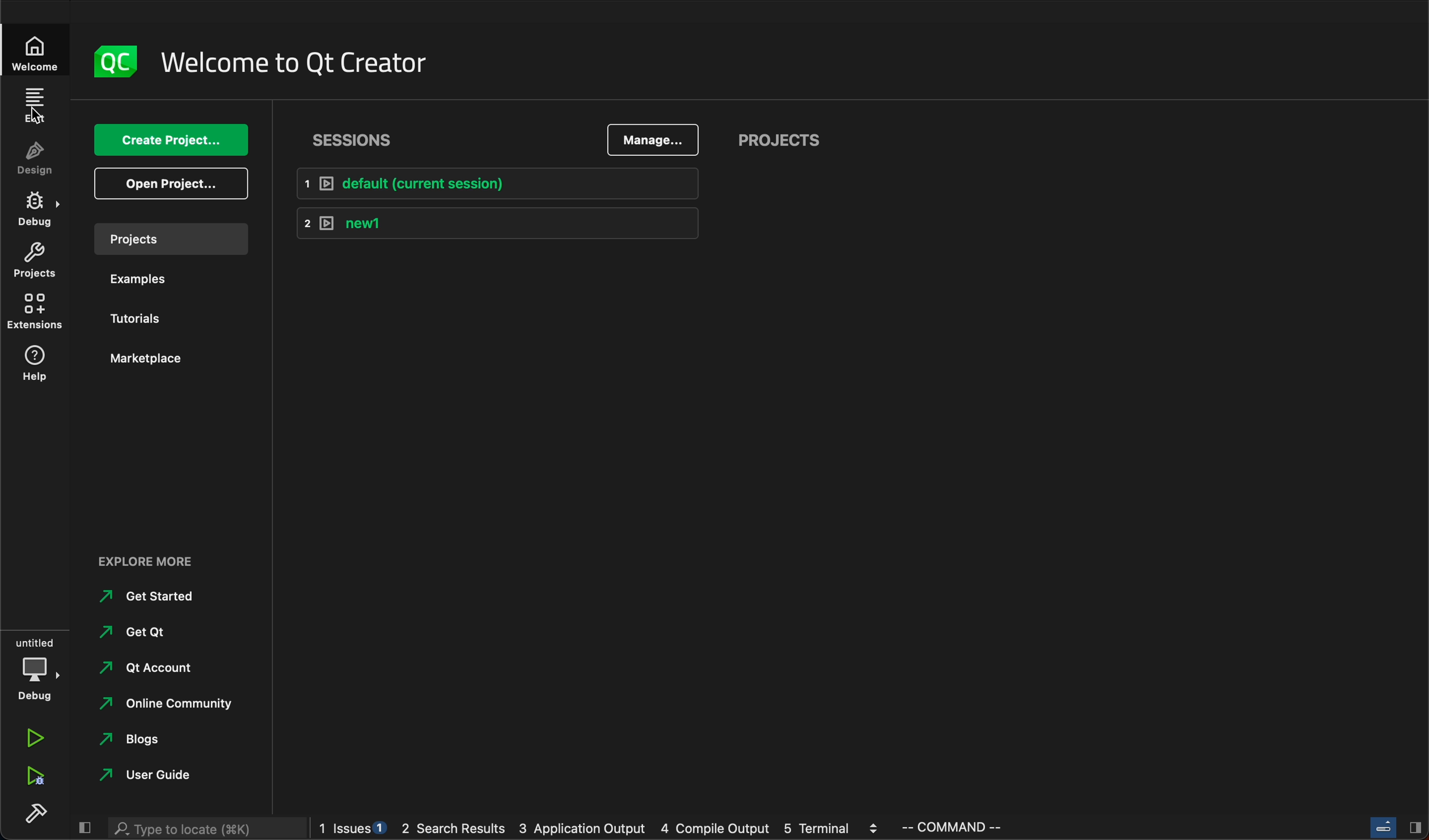  Describe the element at coordinates (143, 560) in the screenshot. I see `explore` at that location.